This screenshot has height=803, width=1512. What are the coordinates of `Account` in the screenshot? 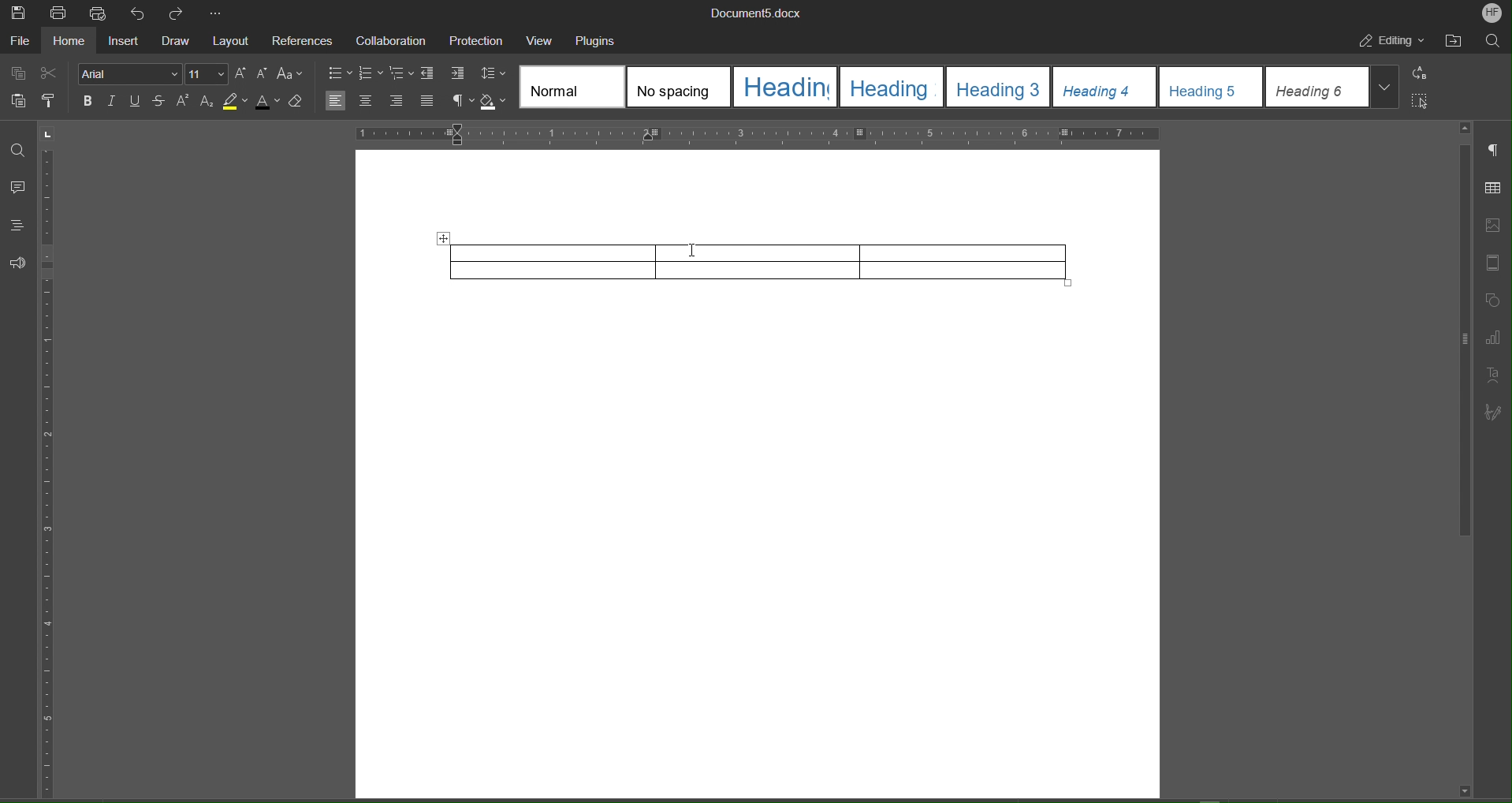 It's located at (1490, 13).